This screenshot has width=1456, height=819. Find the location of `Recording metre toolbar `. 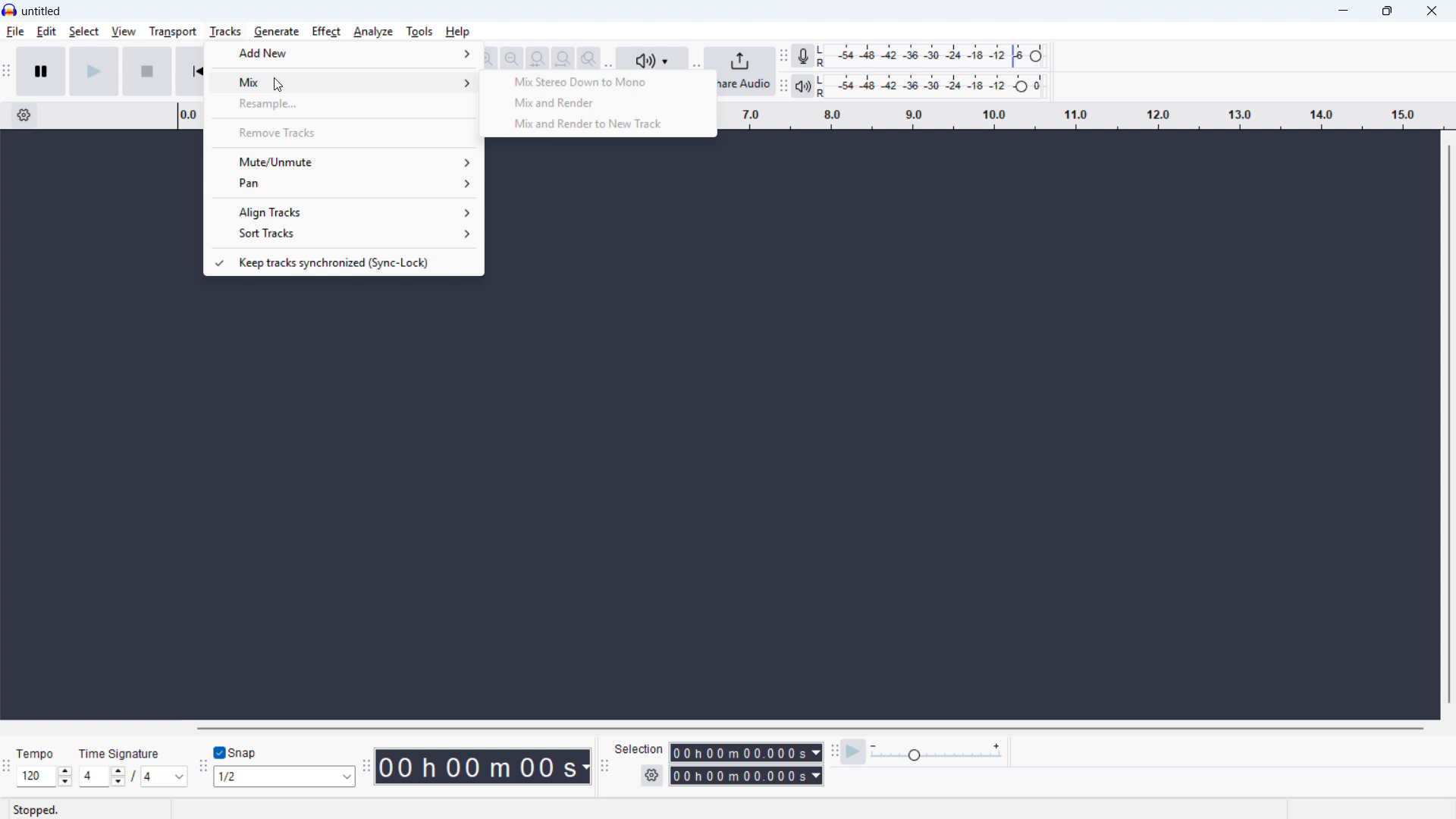

Recording metre toolbar  is located at coordinates (803, 55).